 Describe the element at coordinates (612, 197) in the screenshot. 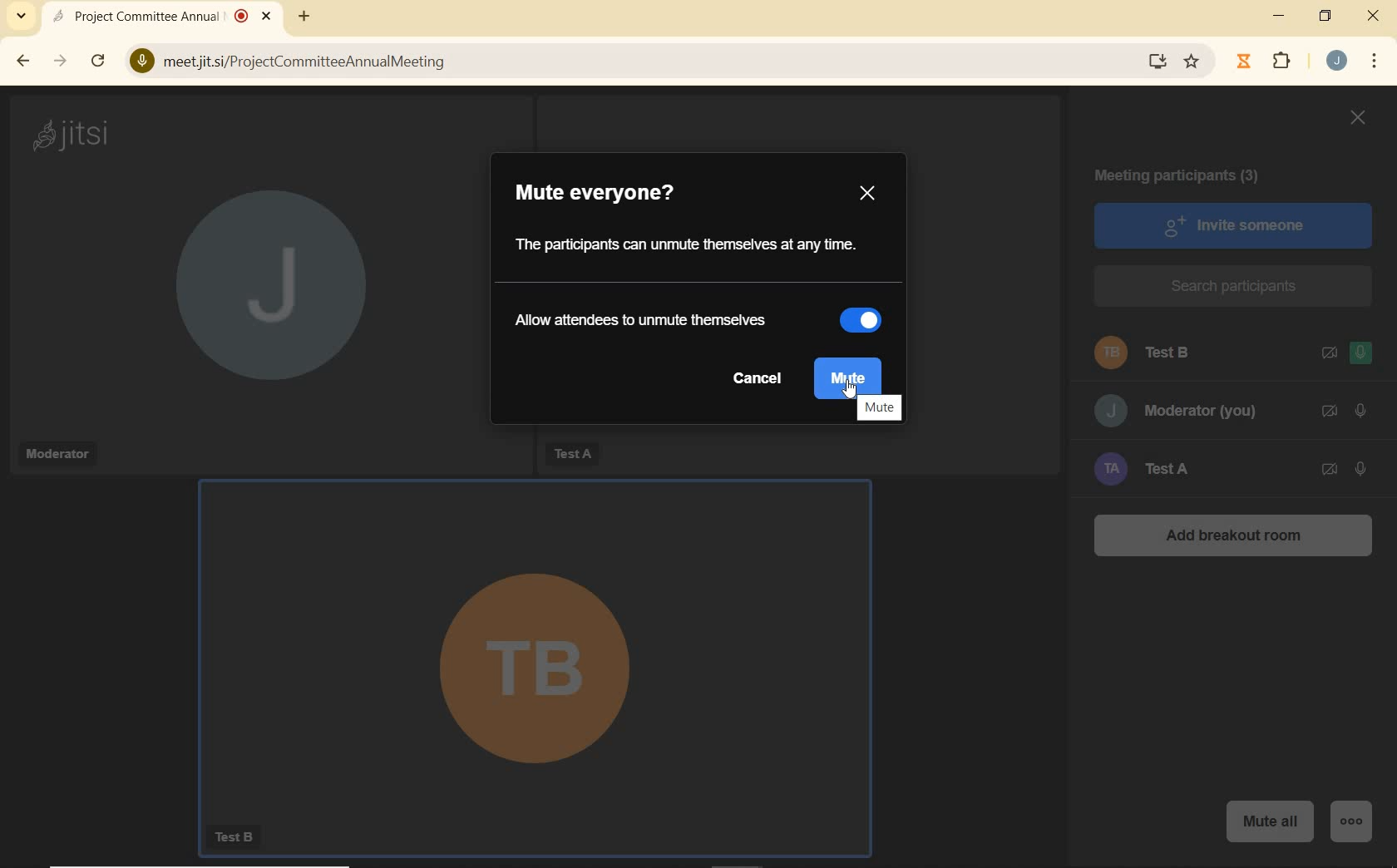

I see `MUTE EVERYONE?` at that location.